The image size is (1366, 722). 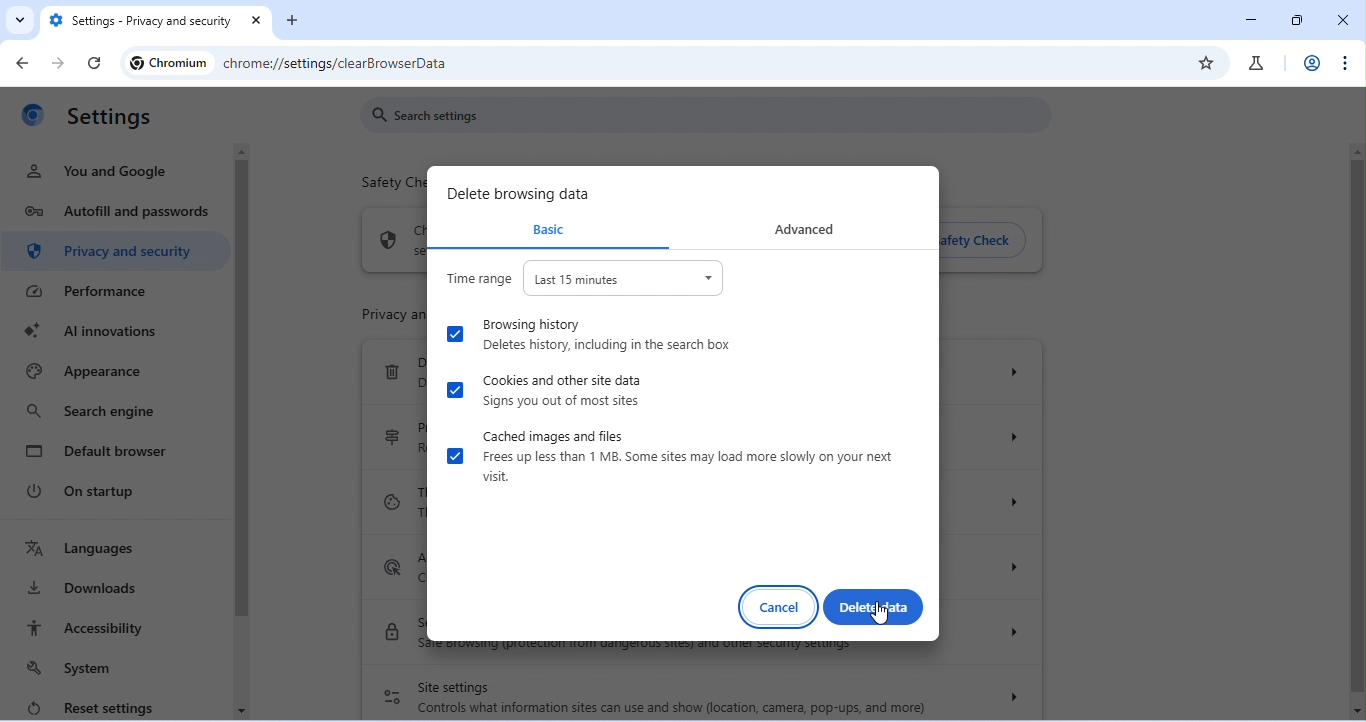 I want to click on basic, so click(x=545, y=229).